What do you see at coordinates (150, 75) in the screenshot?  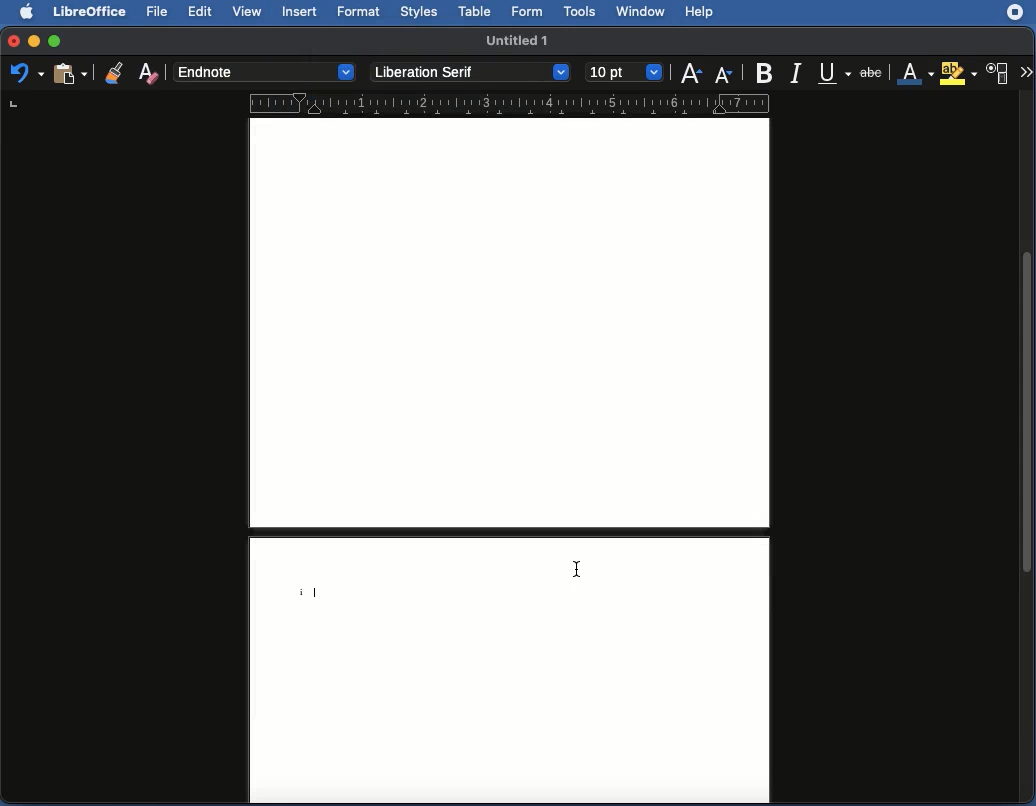 I see `Clear direct formatting ` at bounding box center [150, 75].